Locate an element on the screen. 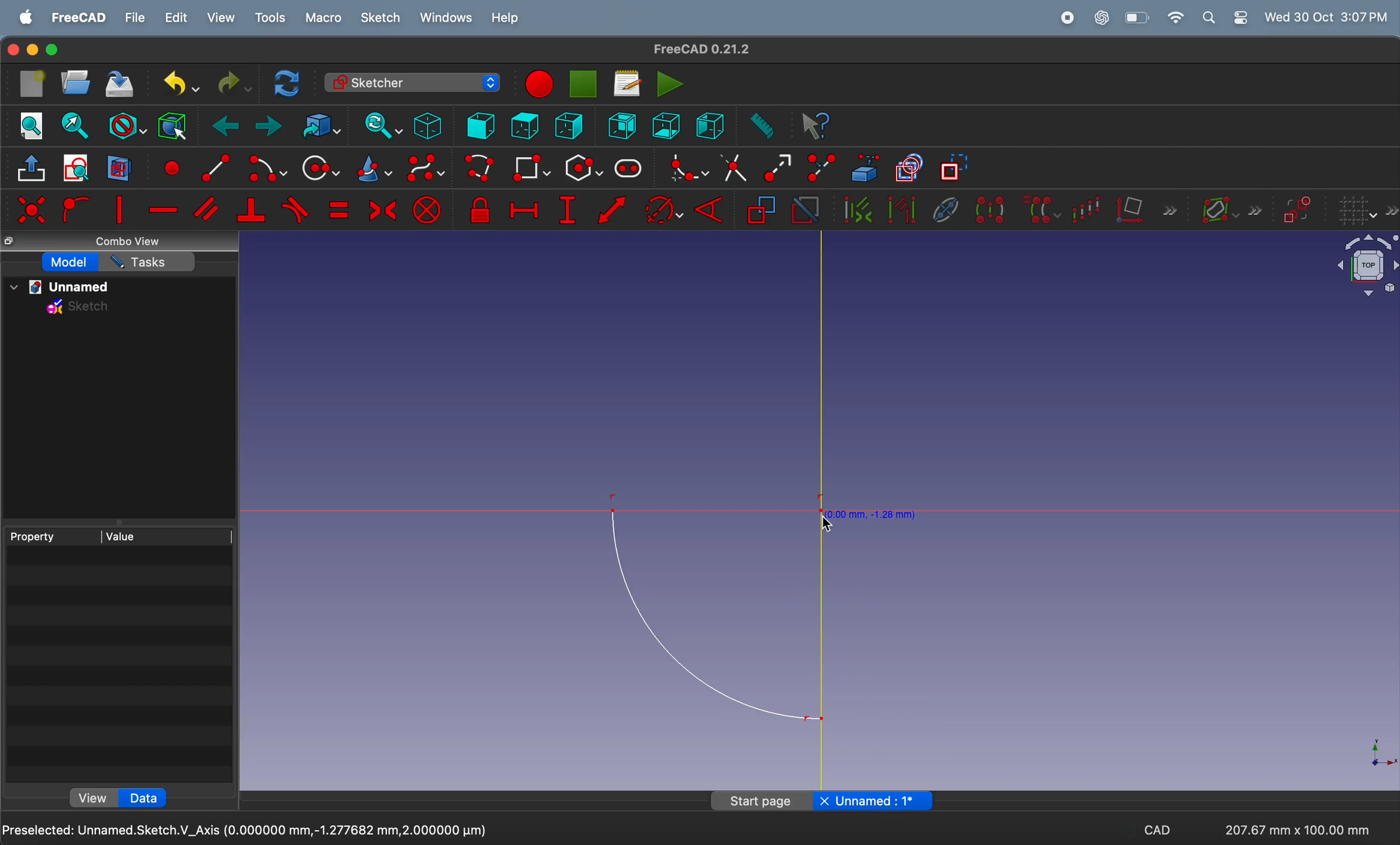  constrain lock is located at coordinates (482, 211).